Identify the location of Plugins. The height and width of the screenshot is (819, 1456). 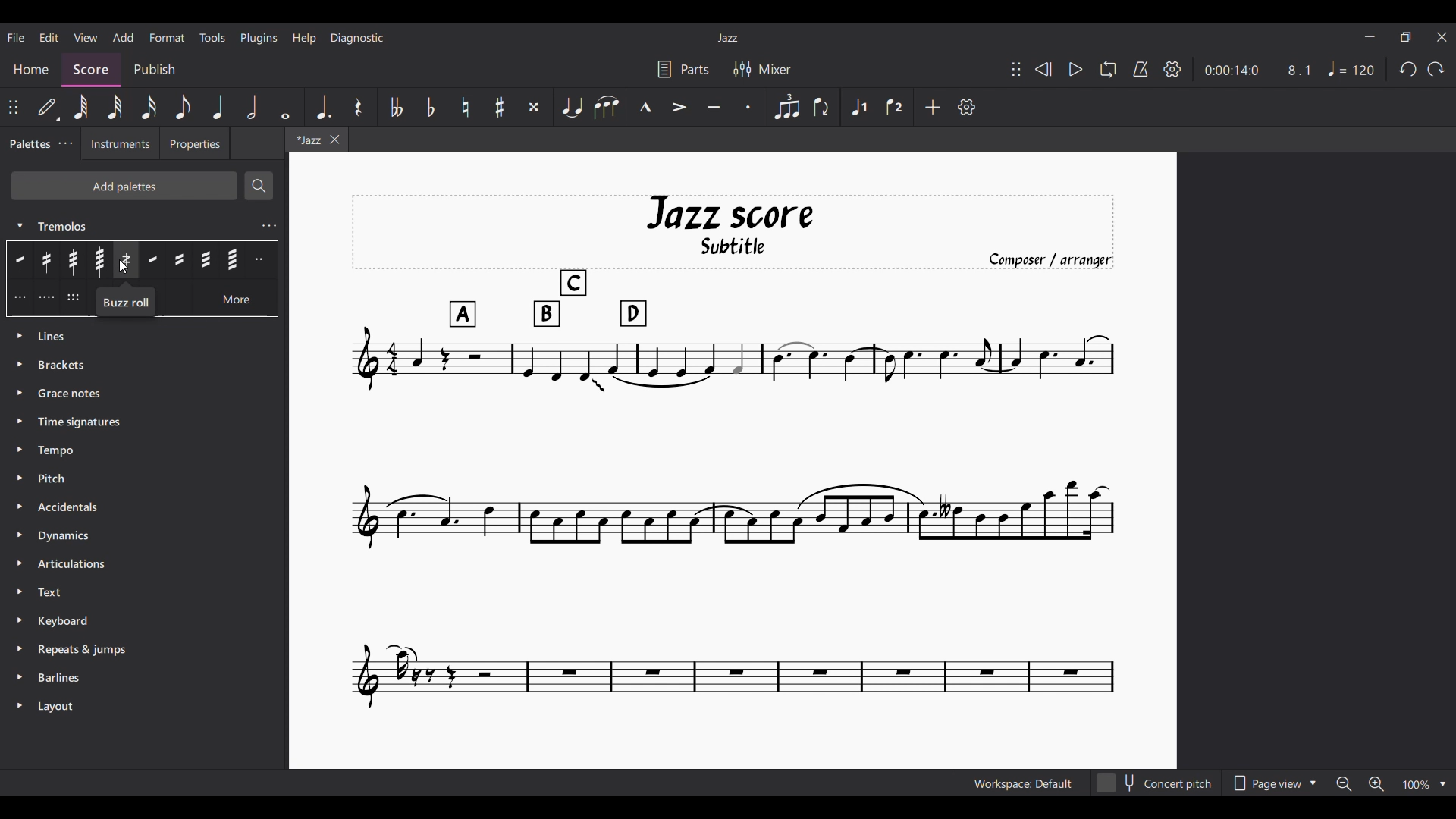
(259, 39).